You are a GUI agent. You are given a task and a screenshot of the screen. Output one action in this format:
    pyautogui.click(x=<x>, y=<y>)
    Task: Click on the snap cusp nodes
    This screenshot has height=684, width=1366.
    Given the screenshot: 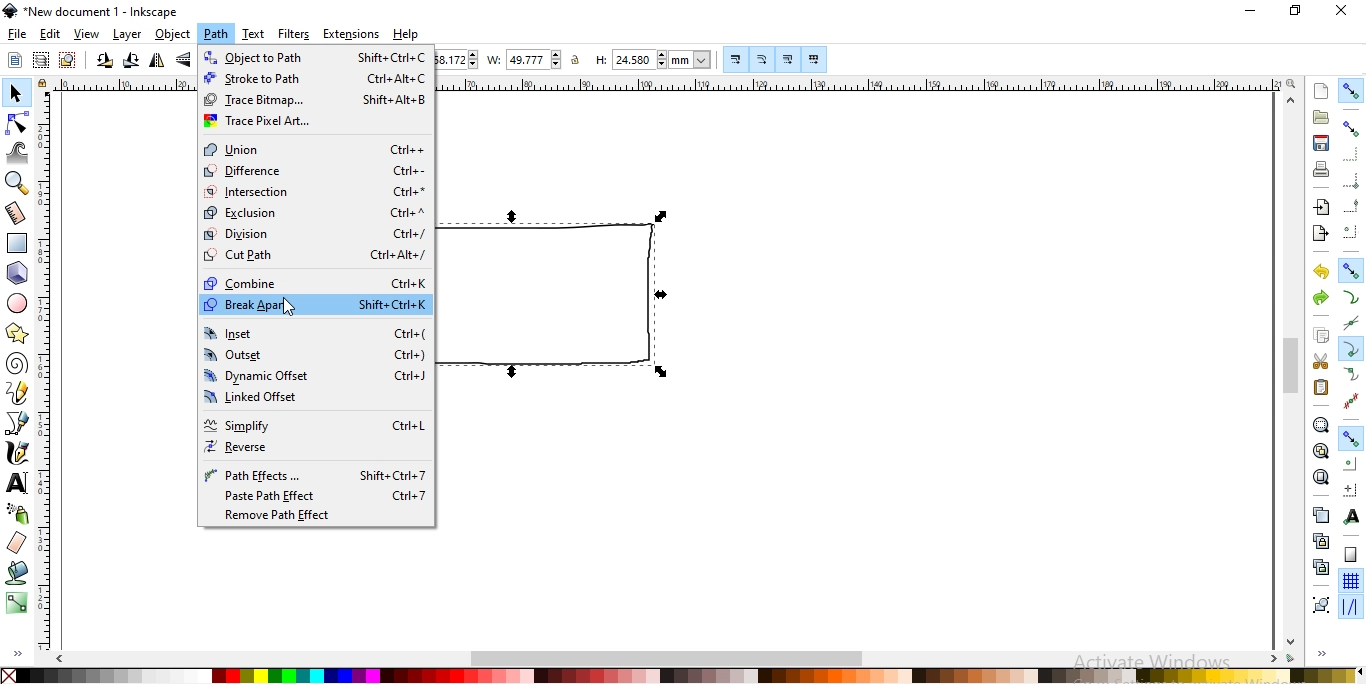 What is the action you would take?
    pyautogui.click(x=1350, y=348)
    